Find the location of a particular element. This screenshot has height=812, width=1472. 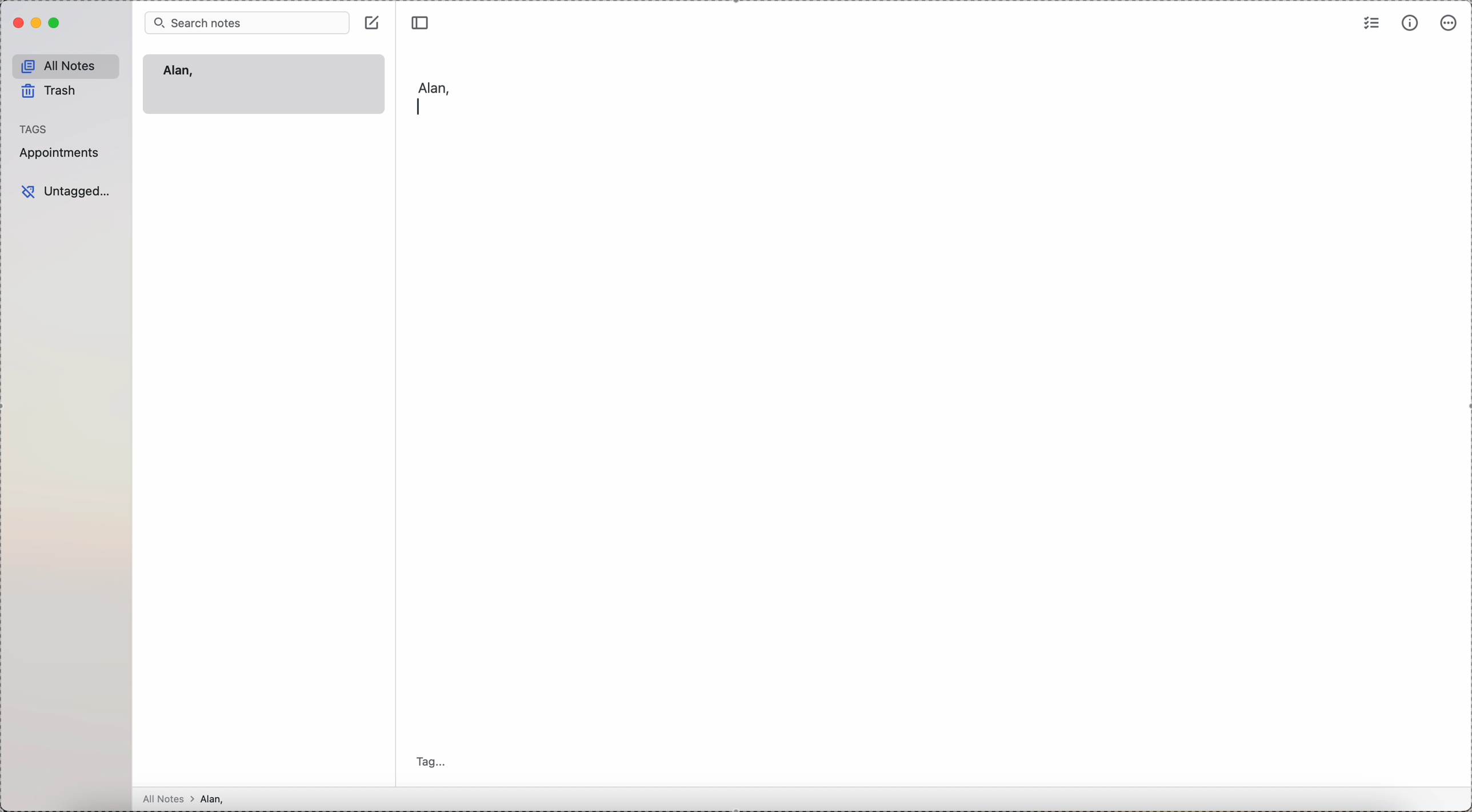

Alan, is located at coordinates (179, 71).